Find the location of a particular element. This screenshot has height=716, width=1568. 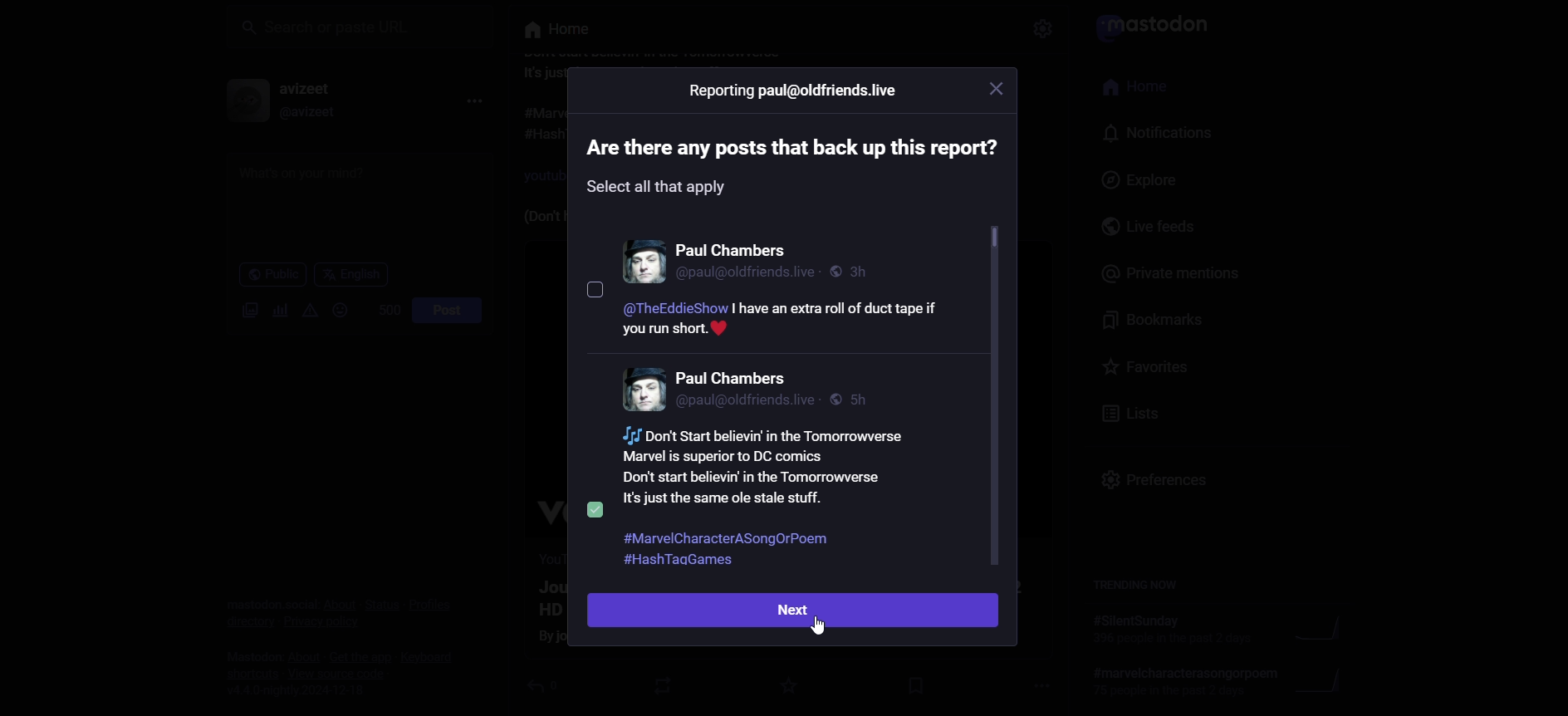

notification is located at coordinates (1152, 134).